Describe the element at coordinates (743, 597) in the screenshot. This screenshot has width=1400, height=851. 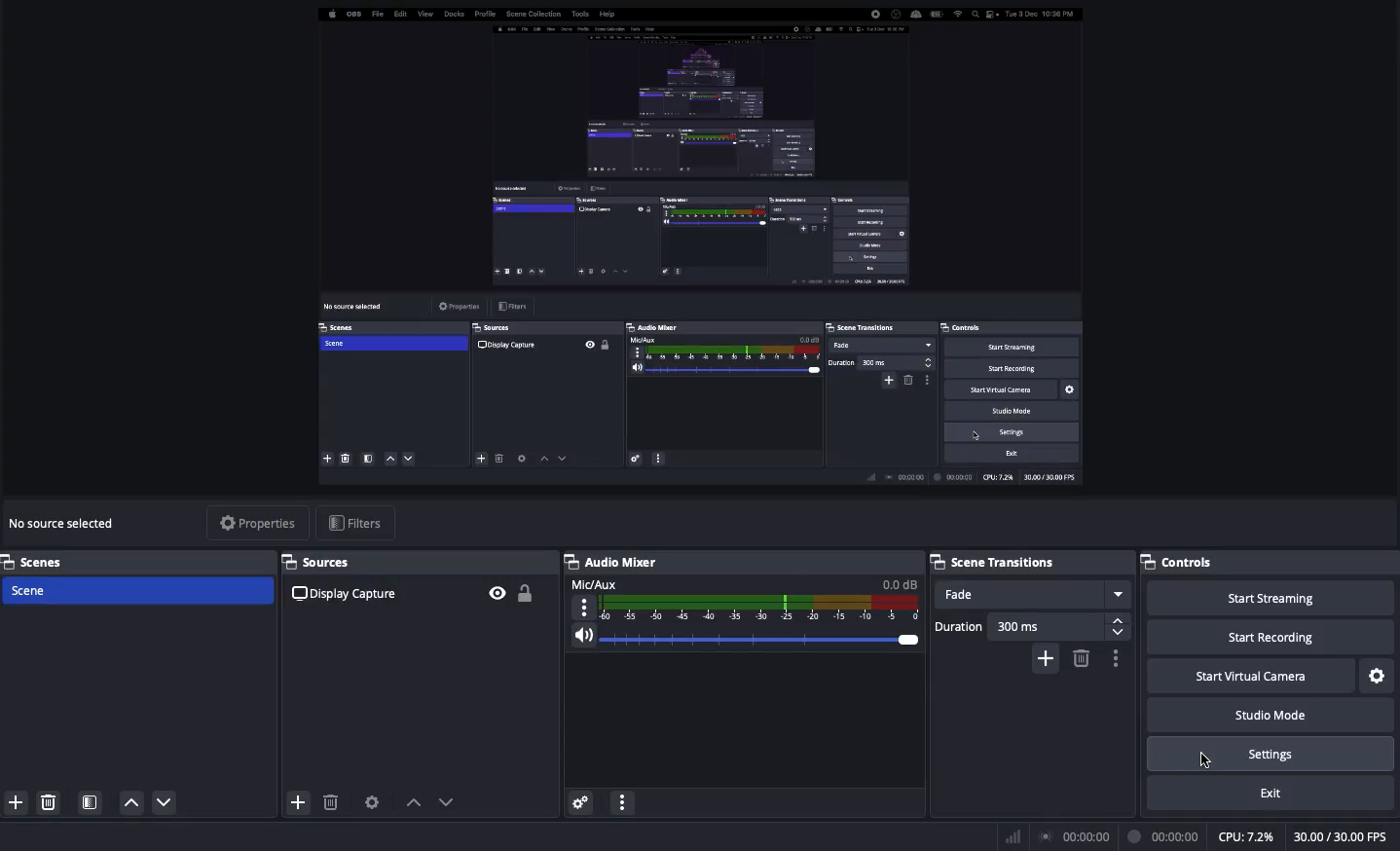
I see `Mic aux` at that location.